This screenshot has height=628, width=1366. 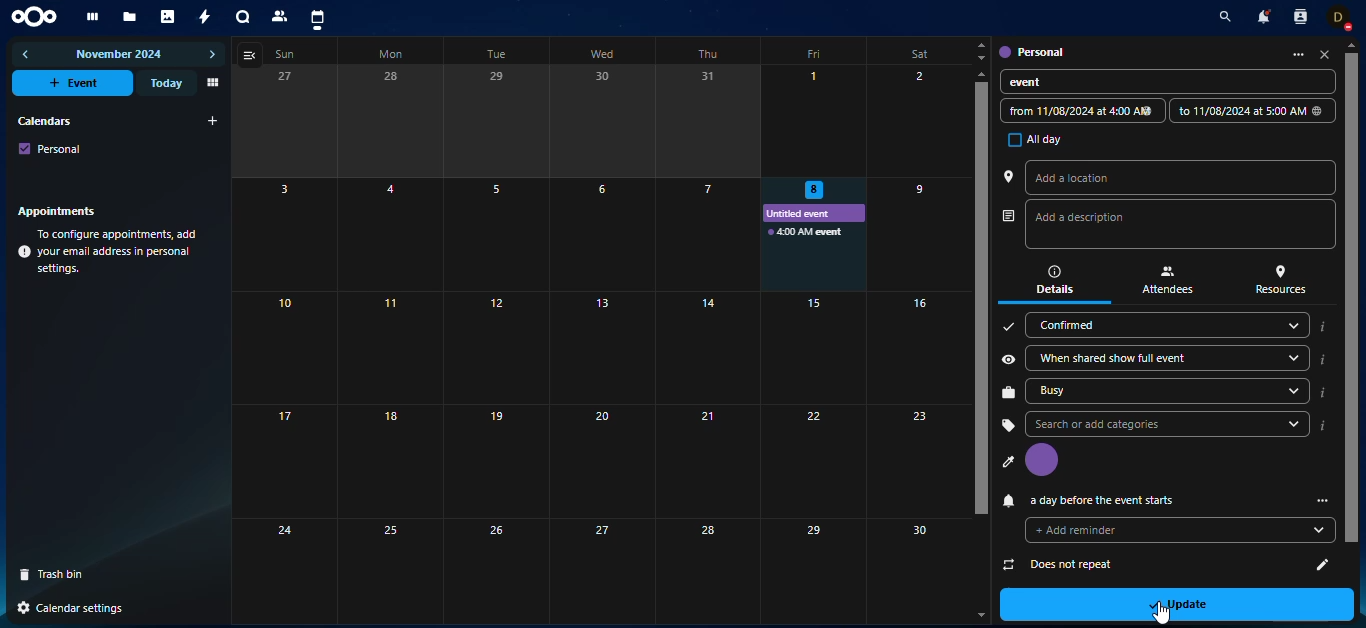 I want to click on view, so click(x=211, y=83).